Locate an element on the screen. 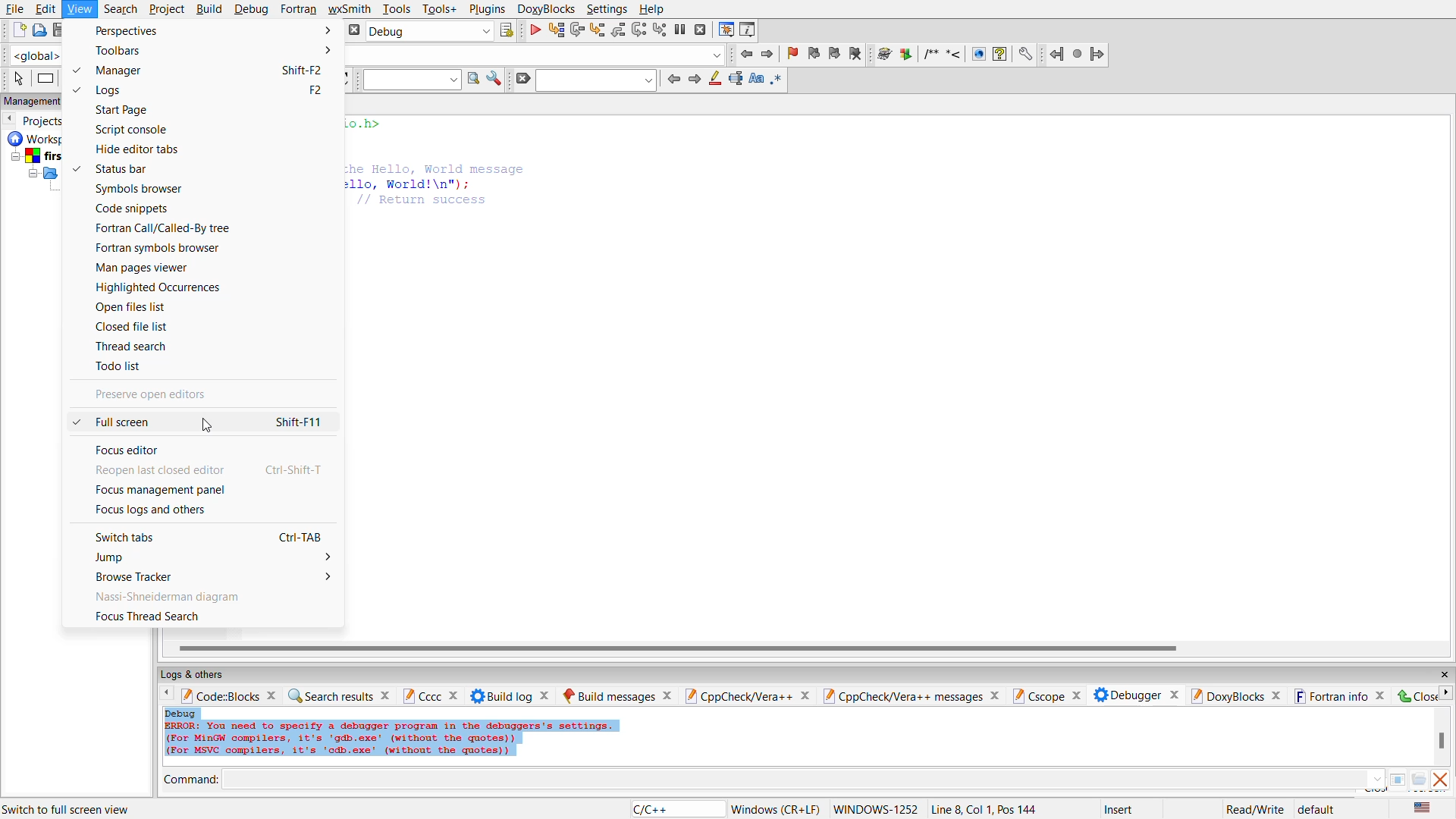 Image resolution: width=1456 pixels, height=819 pixels. focus logs and others is located at coordinates (160, 511).